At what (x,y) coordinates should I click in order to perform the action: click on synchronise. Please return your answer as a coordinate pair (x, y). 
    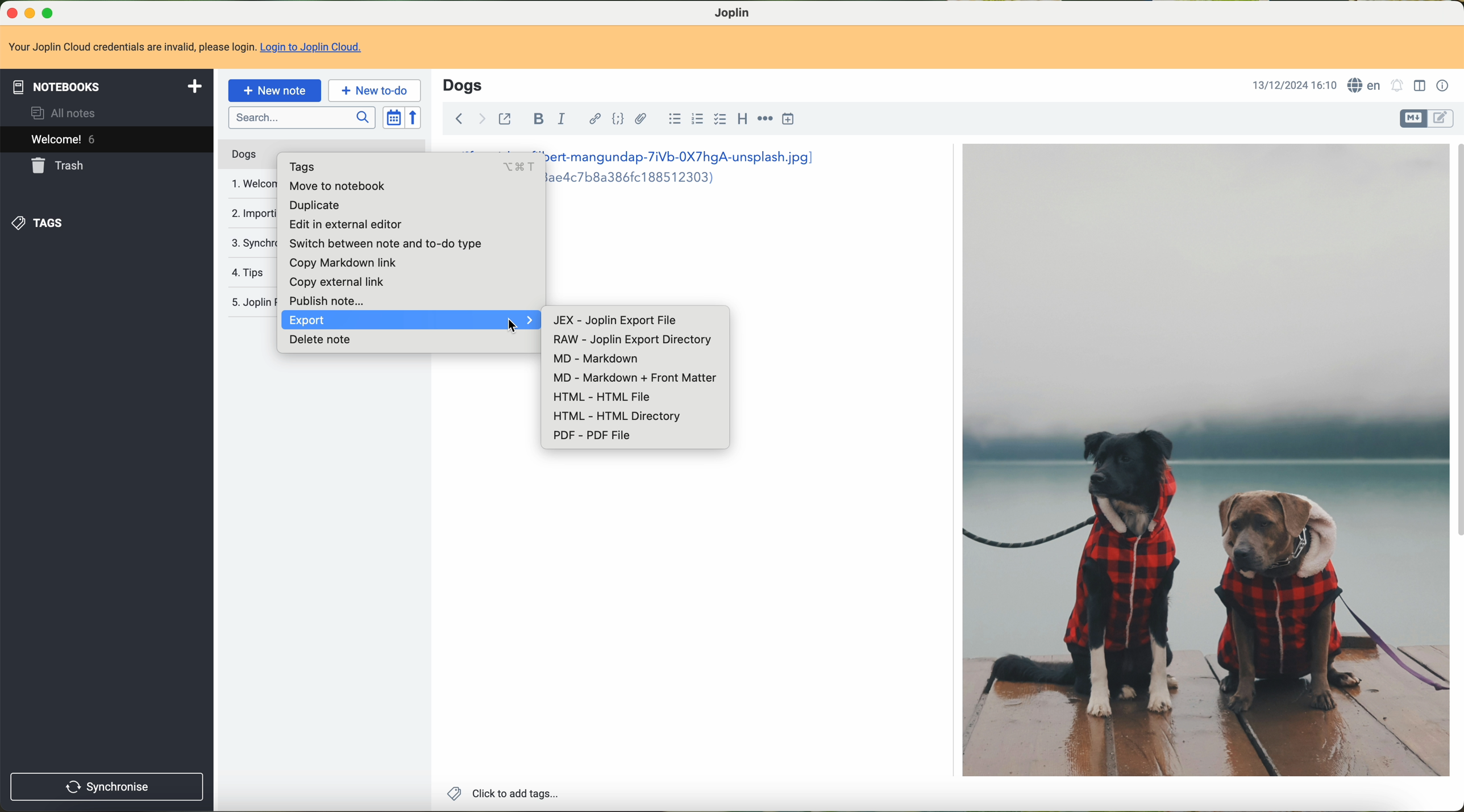
    Looking at the image, I should click on (107, 787).